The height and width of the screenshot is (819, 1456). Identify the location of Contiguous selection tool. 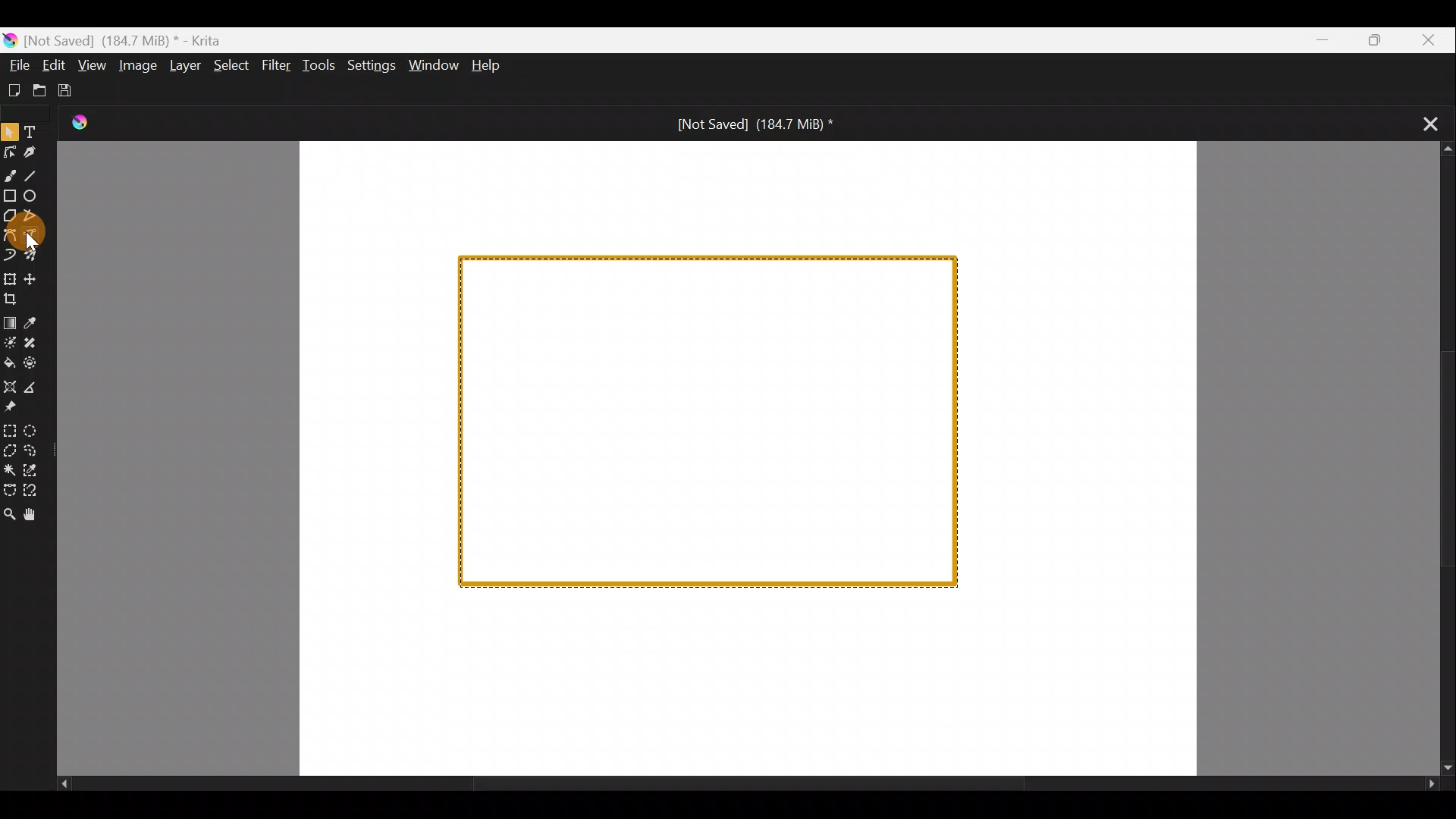
(9, 467).